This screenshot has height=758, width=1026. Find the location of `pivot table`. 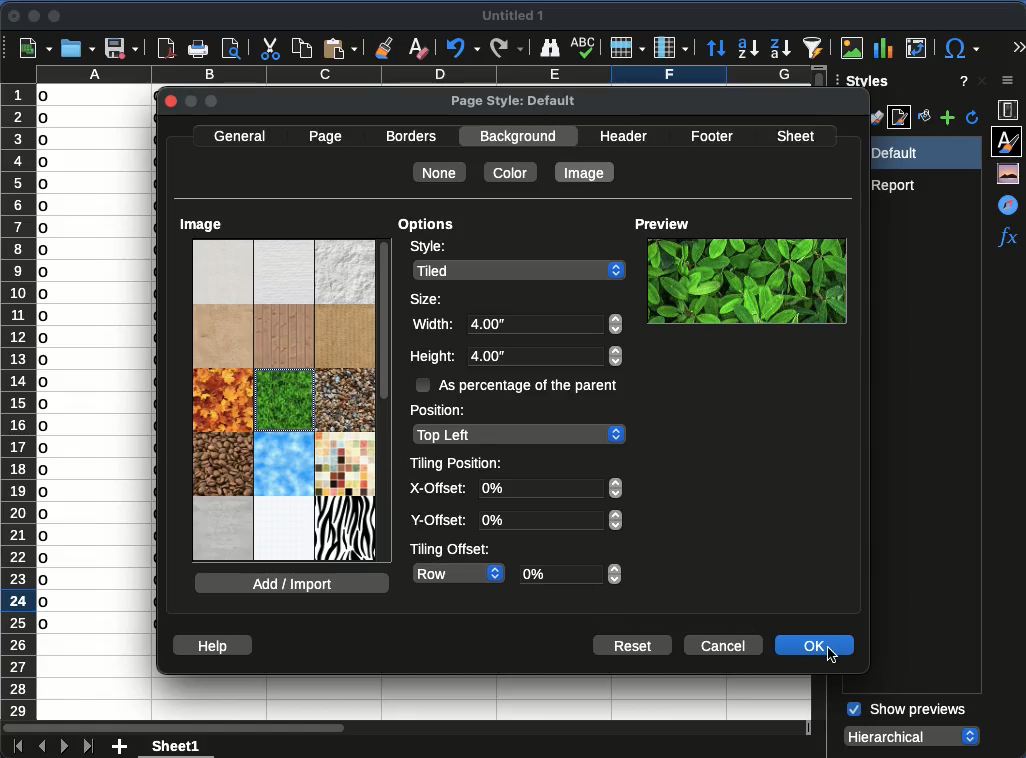

pivot table is located at coordinates (918, 48).